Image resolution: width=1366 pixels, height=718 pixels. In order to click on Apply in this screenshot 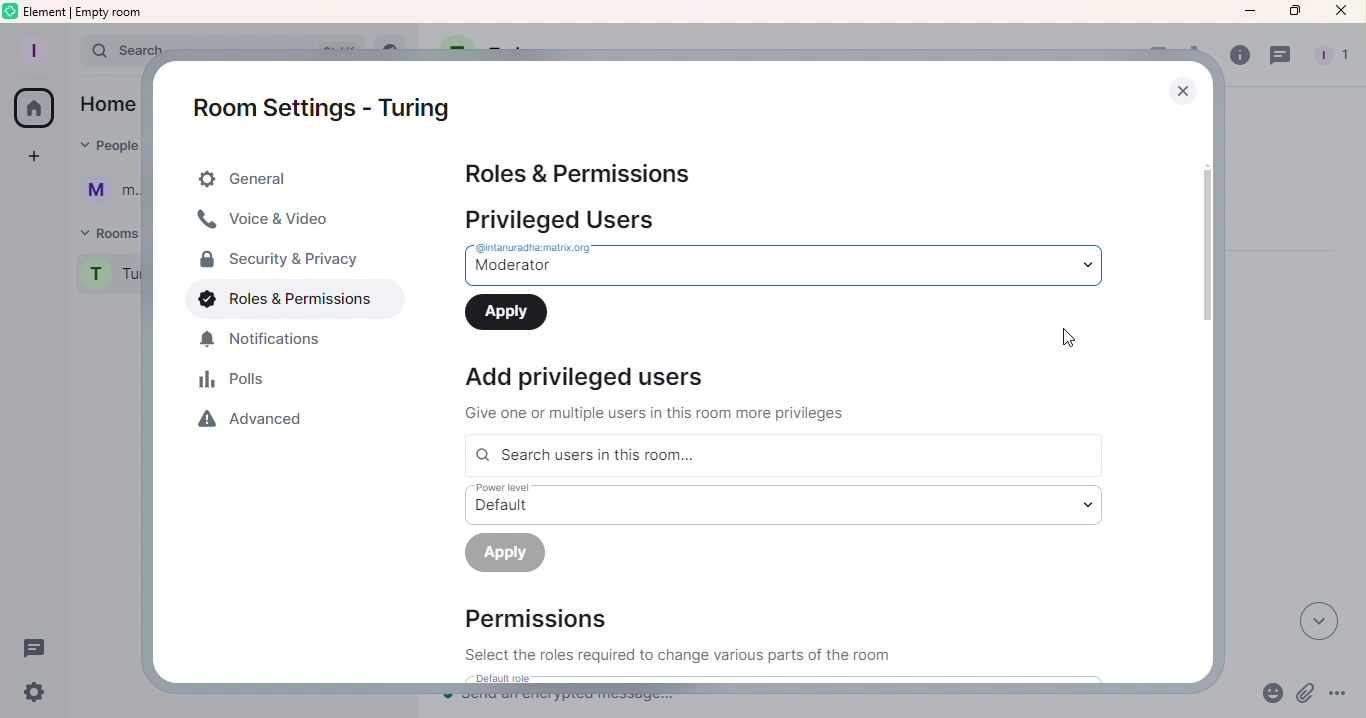, I will do `click(512, 556)`.